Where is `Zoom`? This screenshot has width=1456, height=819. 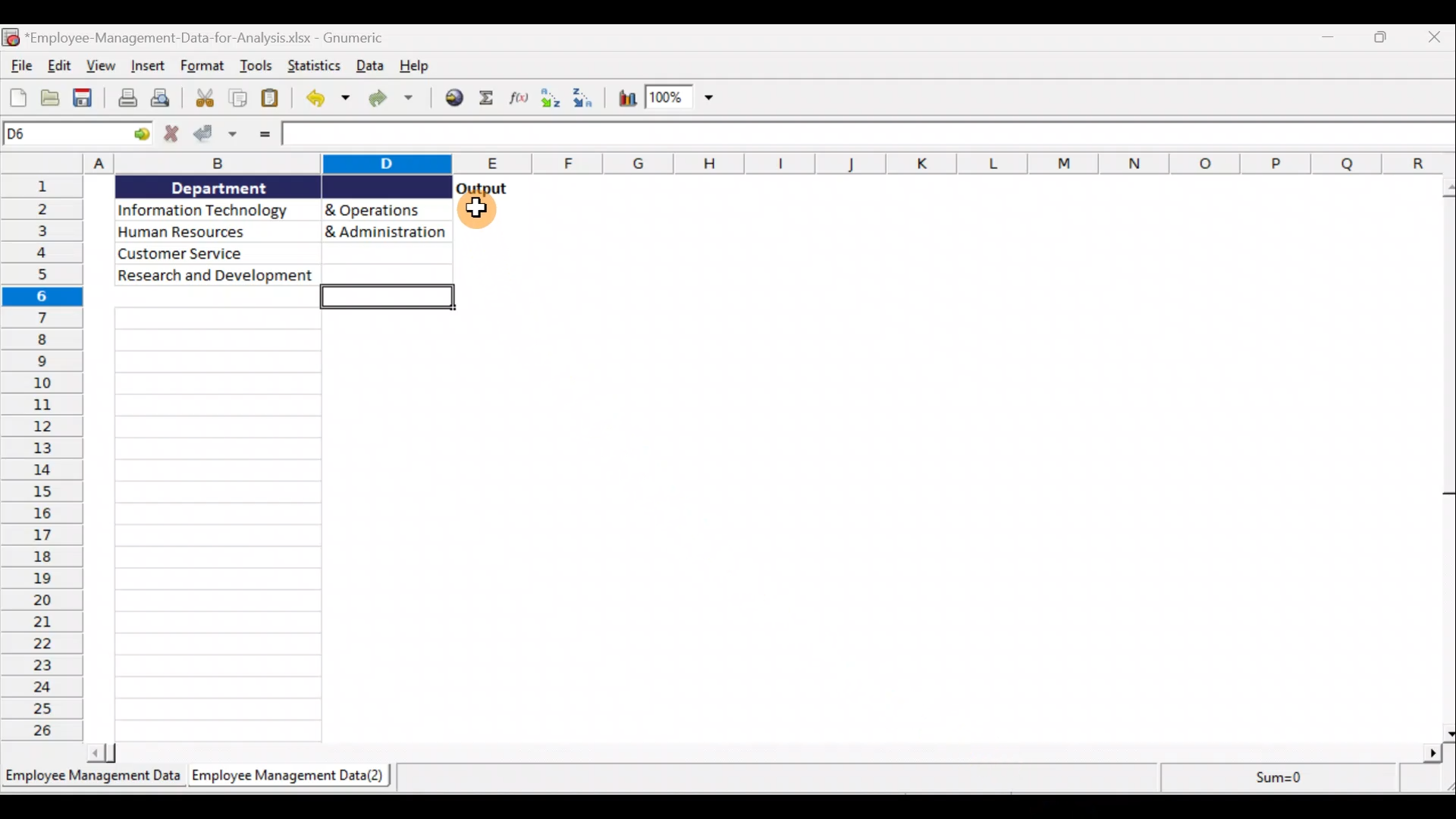
Zoom is located at coordinates (680, 99).